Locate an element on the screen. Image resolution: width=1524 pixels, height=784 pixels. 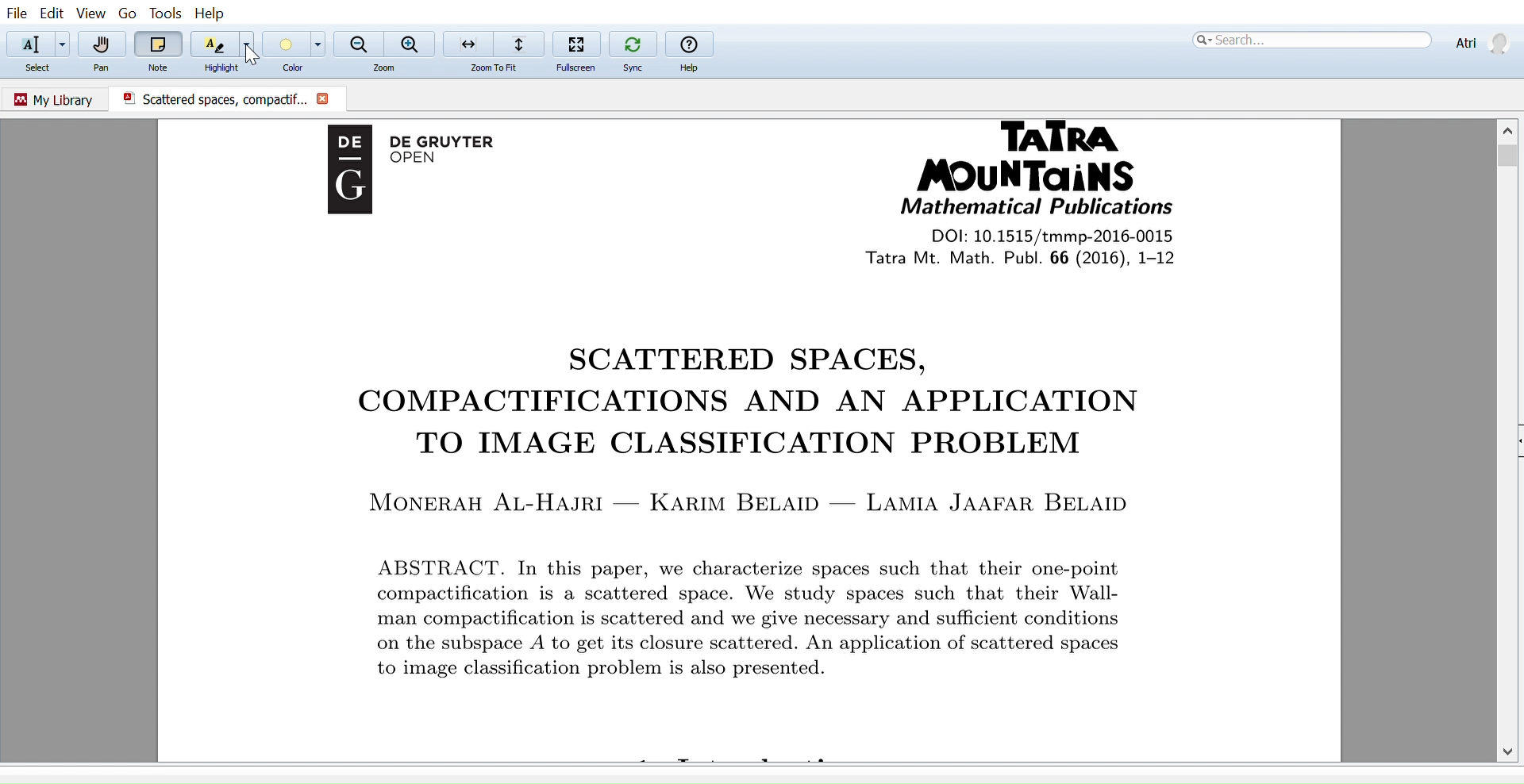
zoom to fit is located at coordinates (499, 68).